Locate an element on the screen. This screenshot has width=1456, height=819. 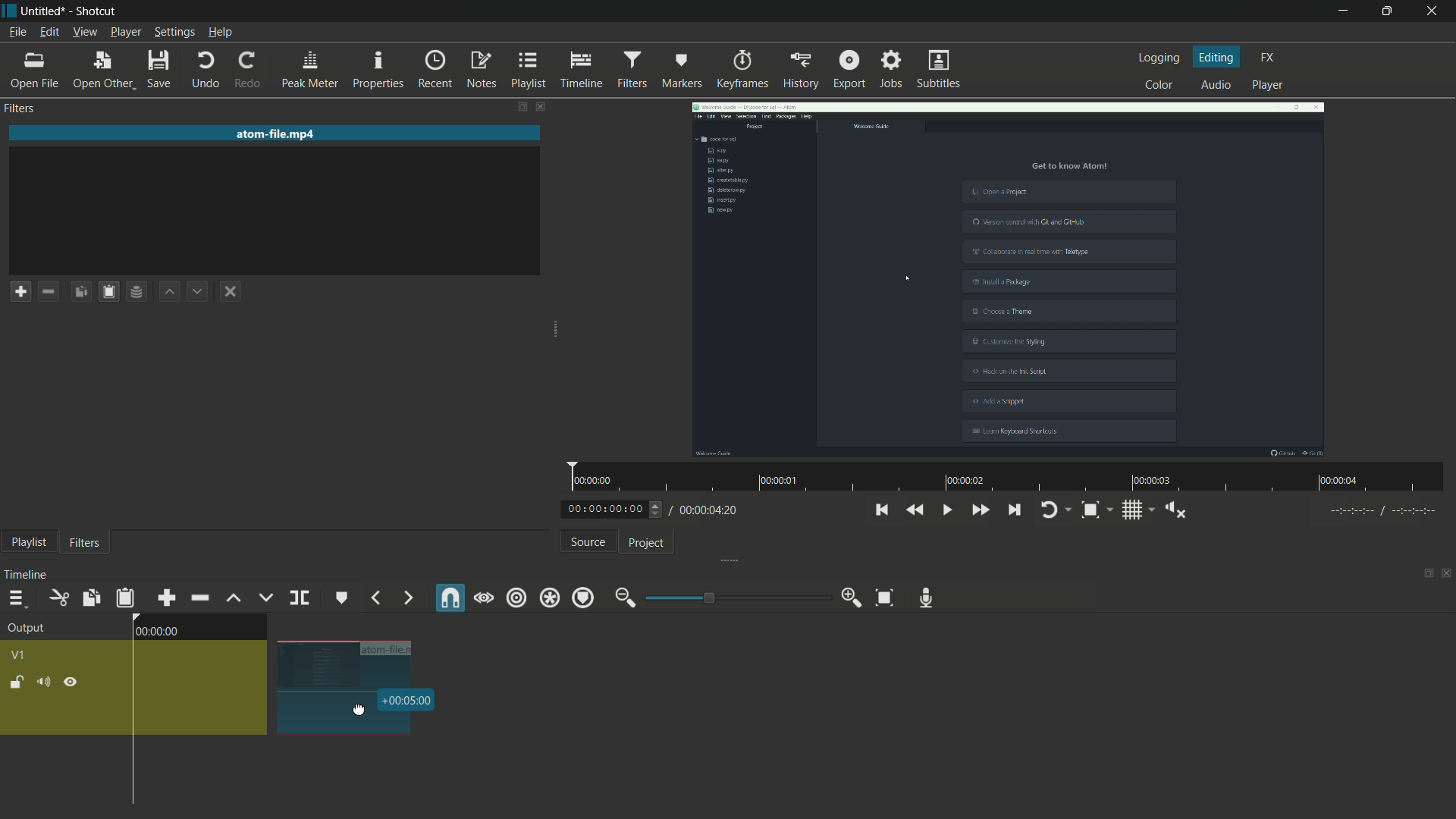
markers is located at coordinates (682, 68).